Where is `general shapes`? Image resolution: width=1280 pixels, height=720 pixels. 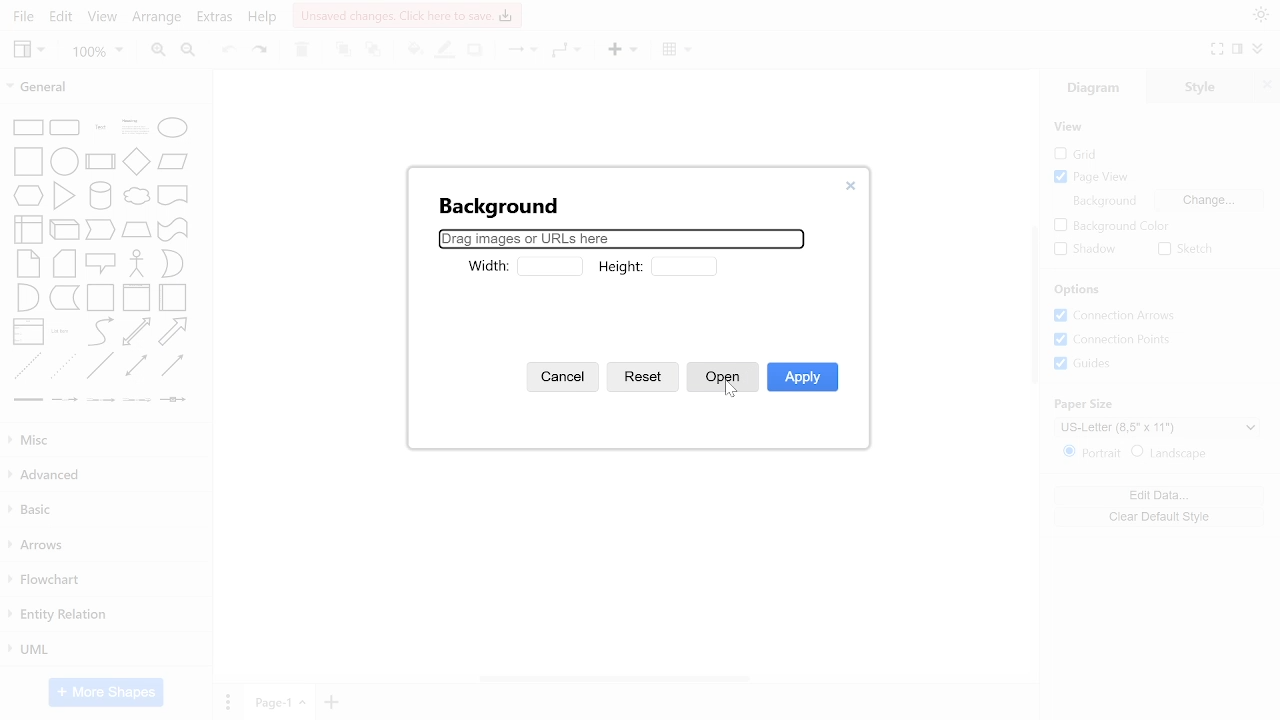
general shapes is located at coordinates (63, 296).